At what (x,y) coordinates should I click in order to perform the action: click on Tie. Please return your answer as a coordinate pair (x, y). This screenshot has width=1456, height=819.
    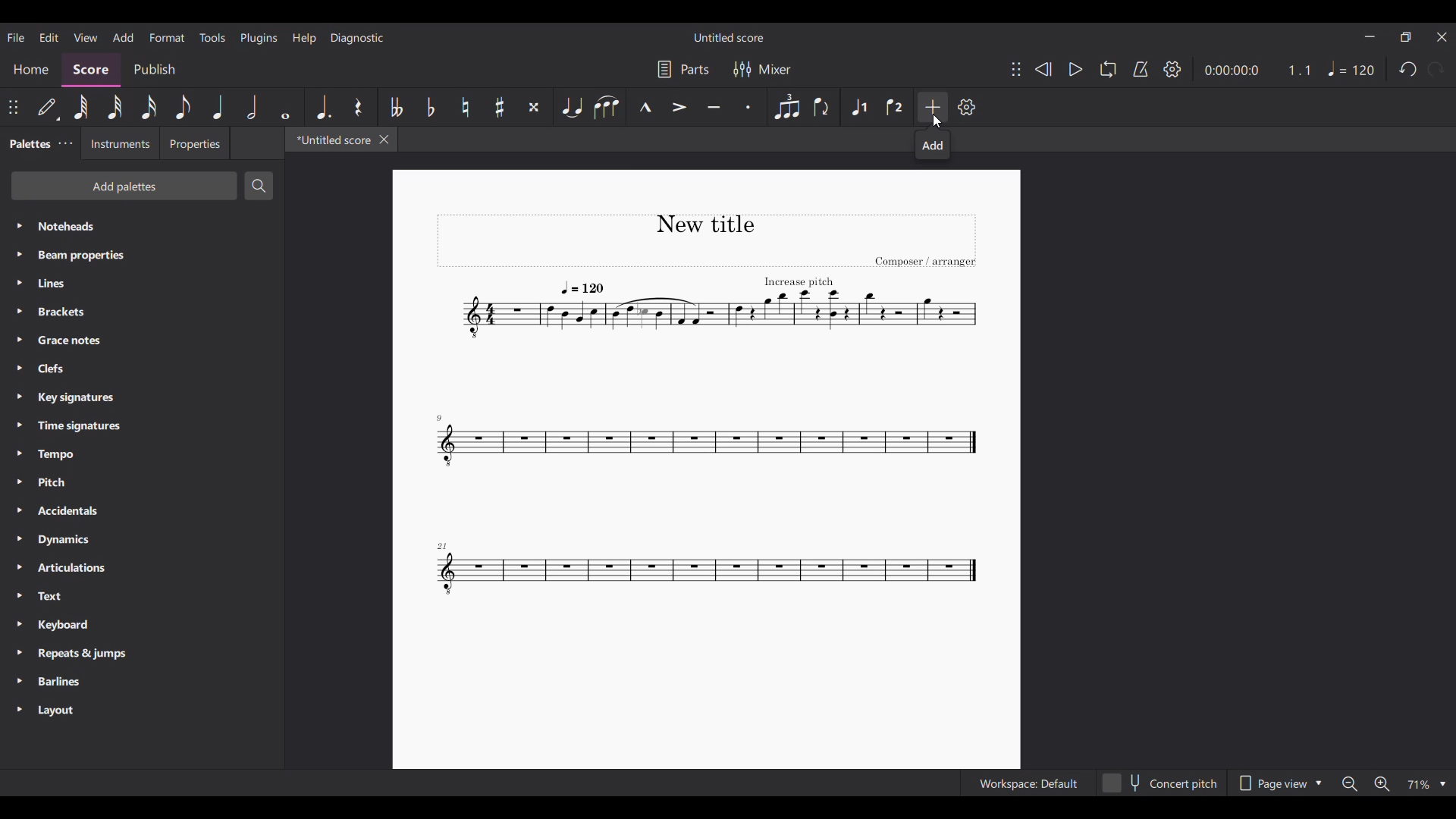
    Looking at the image, I should click on (571, 107).